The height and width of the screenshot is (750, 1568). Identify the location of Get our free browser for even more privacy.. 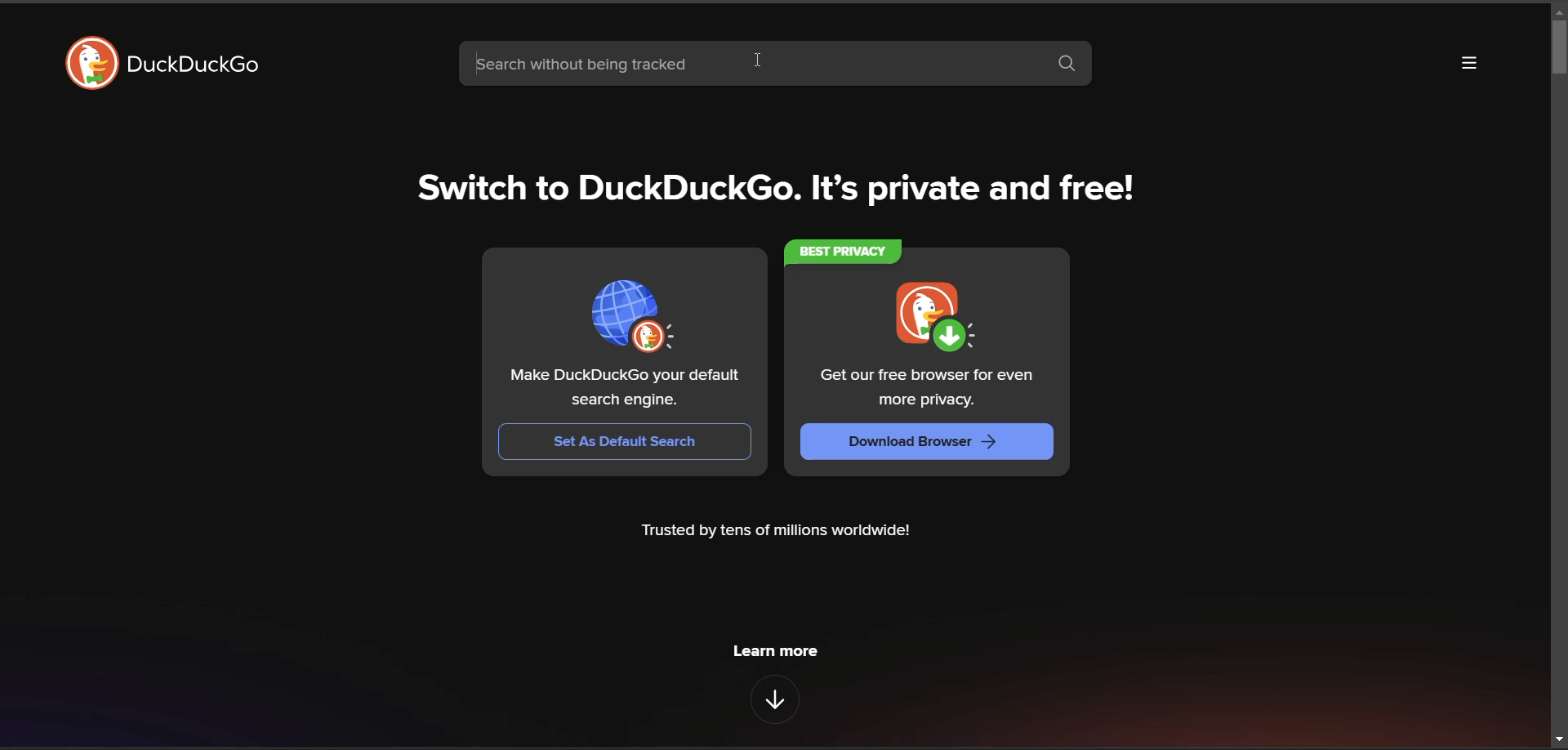
(924, 390).